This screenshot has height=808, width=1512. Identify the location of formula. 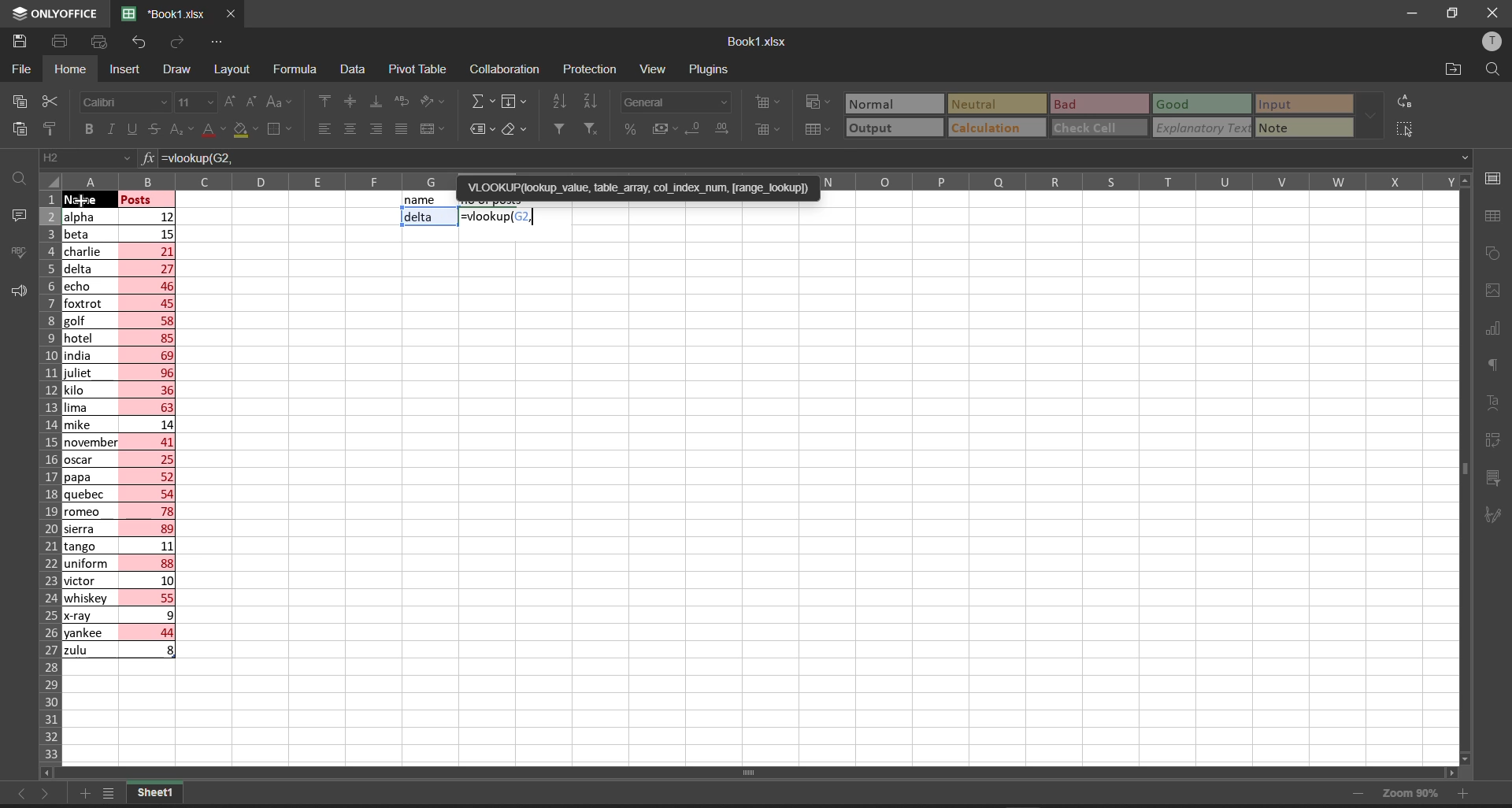
(146, 158).